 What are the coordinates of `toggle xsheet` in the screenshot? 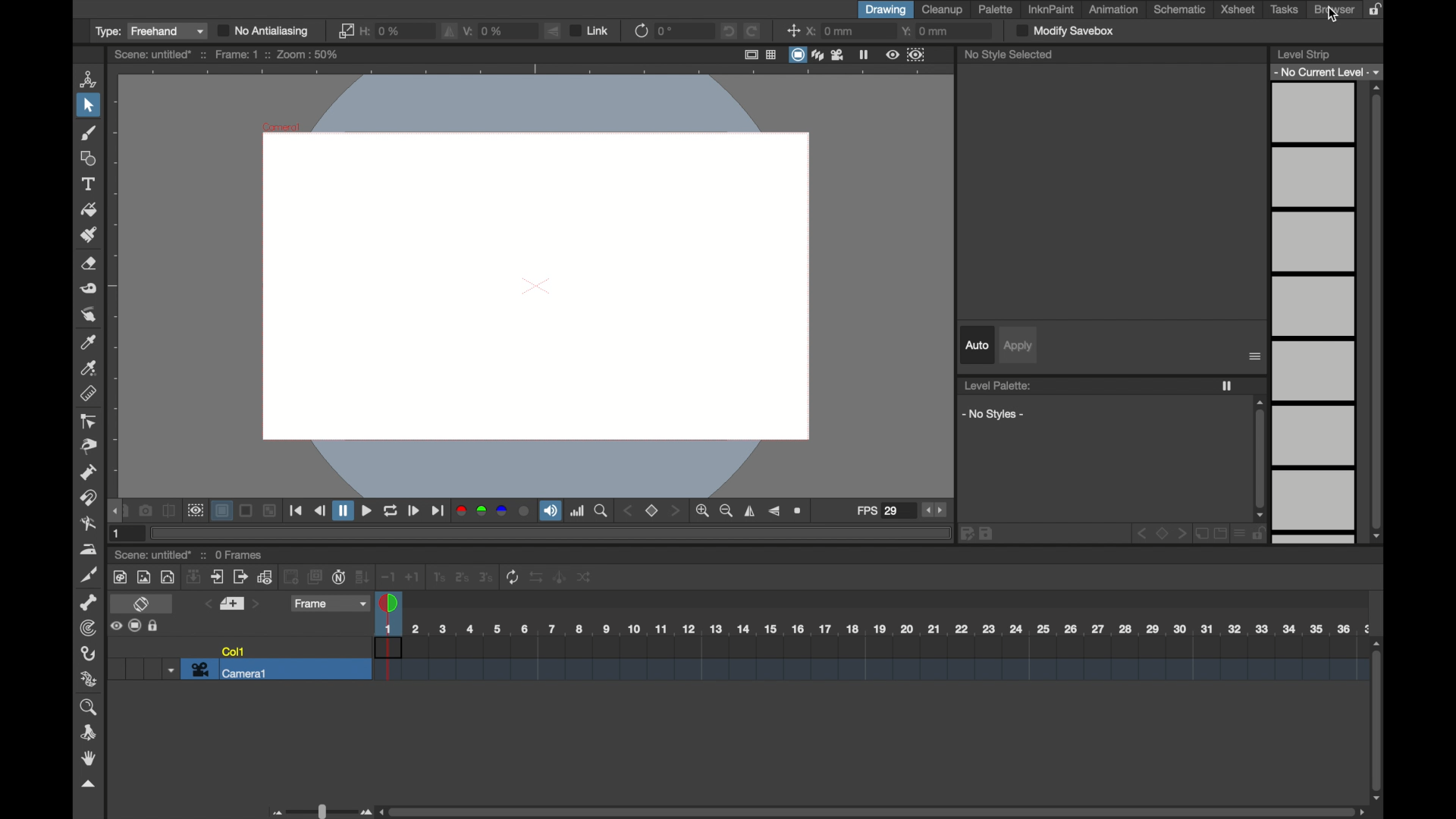 It's located at (143, 604).